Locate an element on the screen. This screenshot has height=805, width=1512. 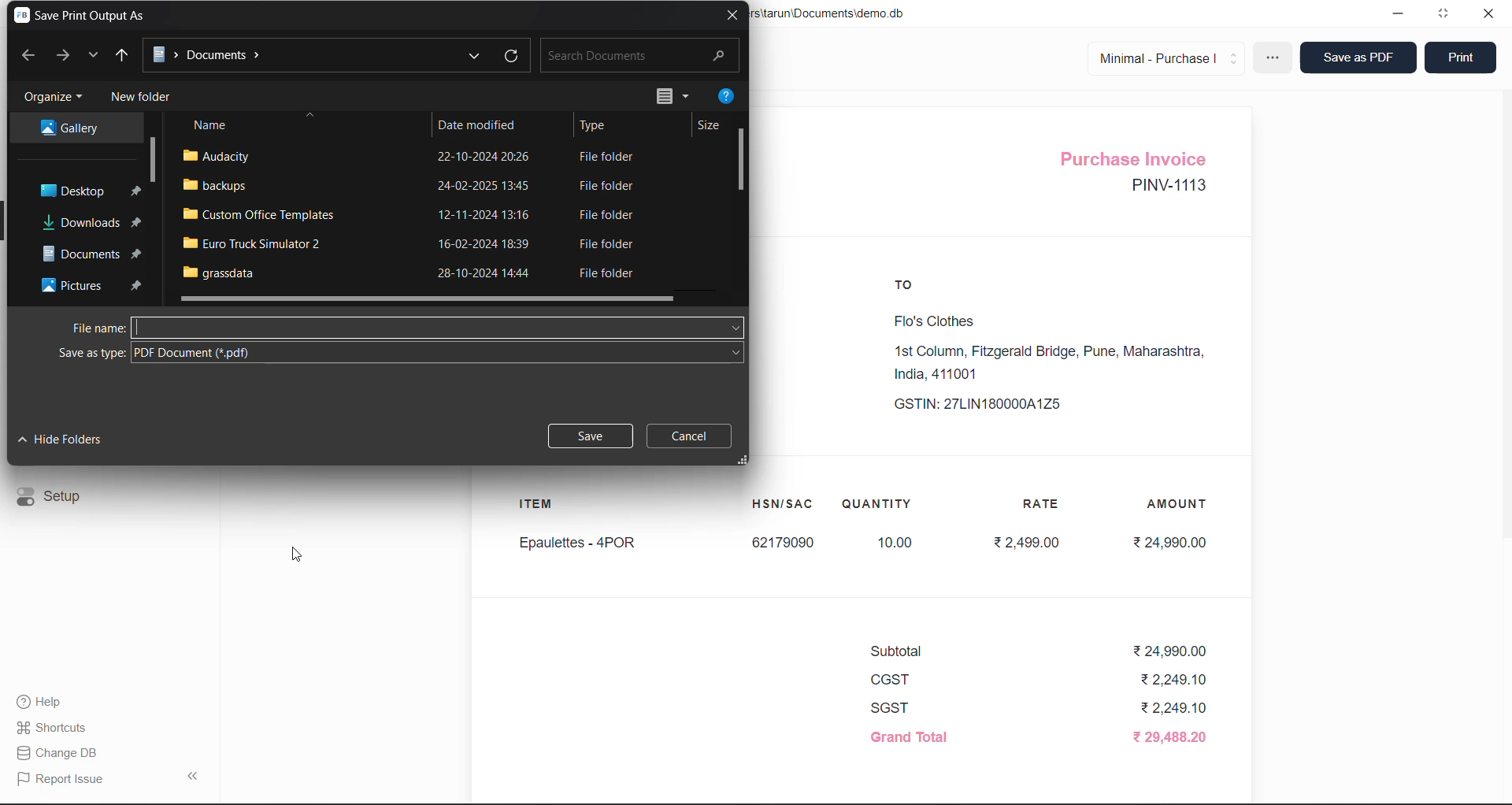
Setup is located at coordinates (57, 498).